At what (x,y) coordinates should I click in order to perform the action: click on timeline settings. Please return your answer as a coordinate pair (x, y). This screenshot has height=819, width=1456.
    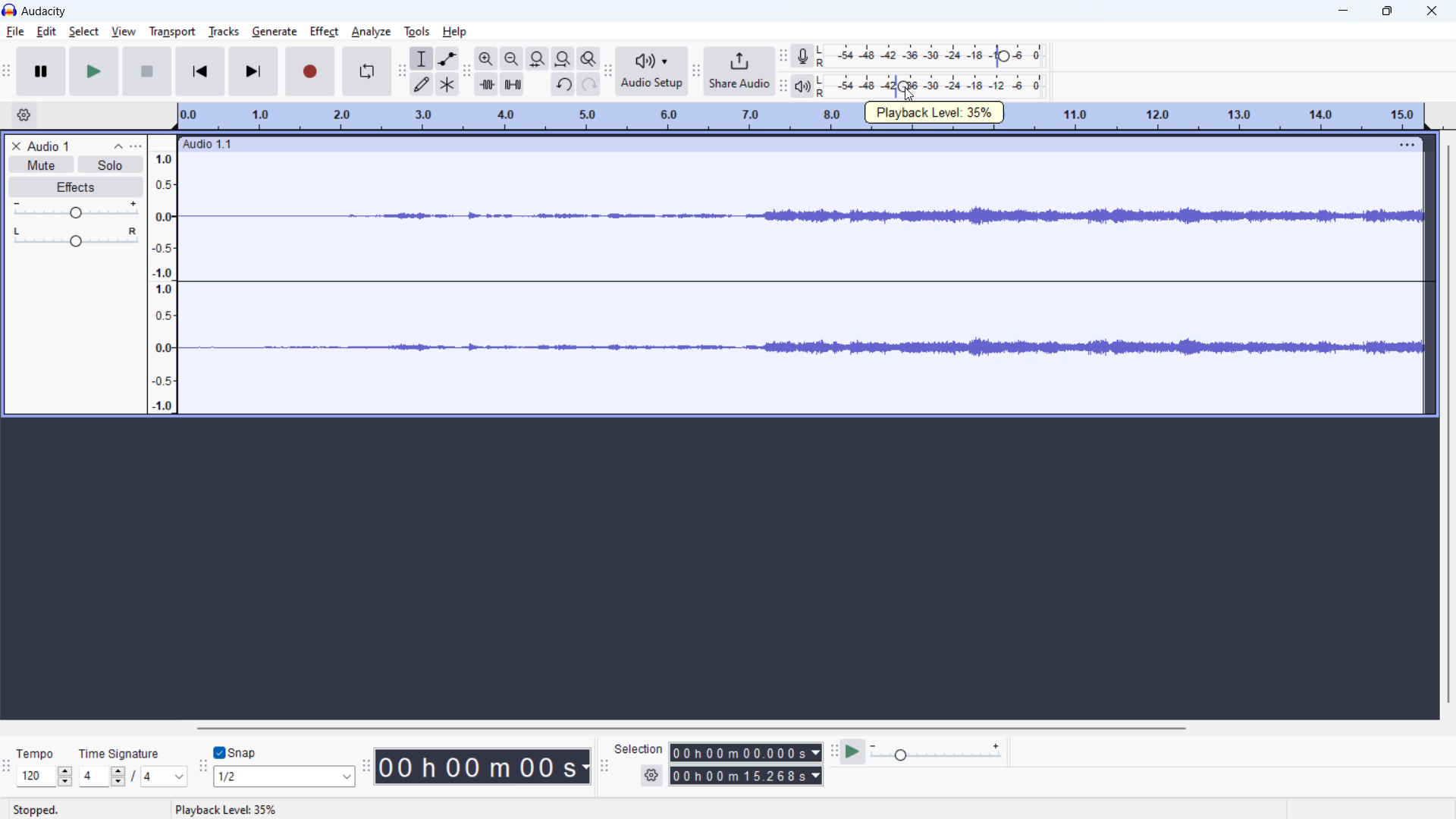
    Looking at the image, I should click on (22, 114).